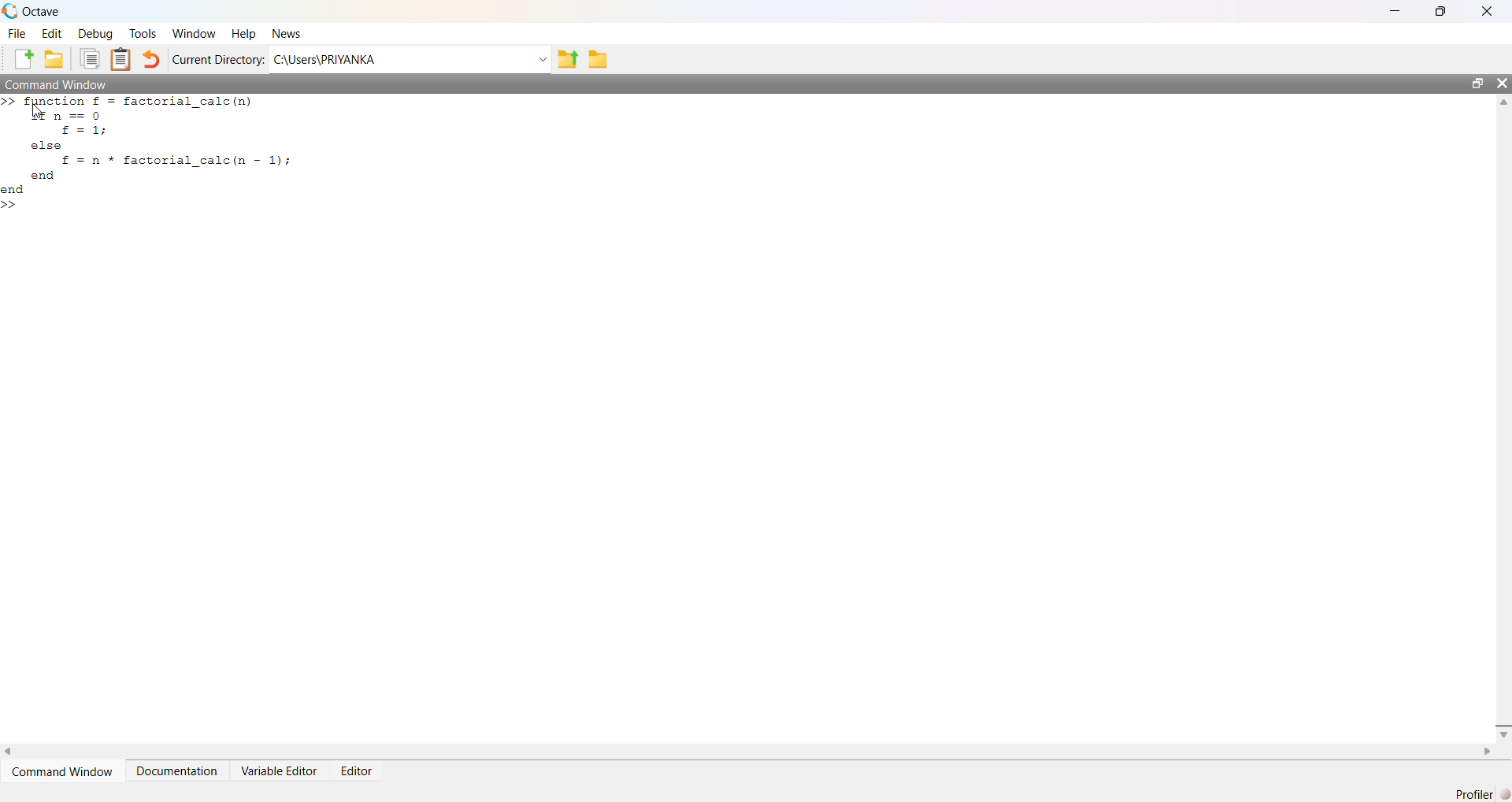 This screenshot has height=802, width=1512. Describe the element at coordinates (56, 84) in the screenshot. I see `Command window` at that location.